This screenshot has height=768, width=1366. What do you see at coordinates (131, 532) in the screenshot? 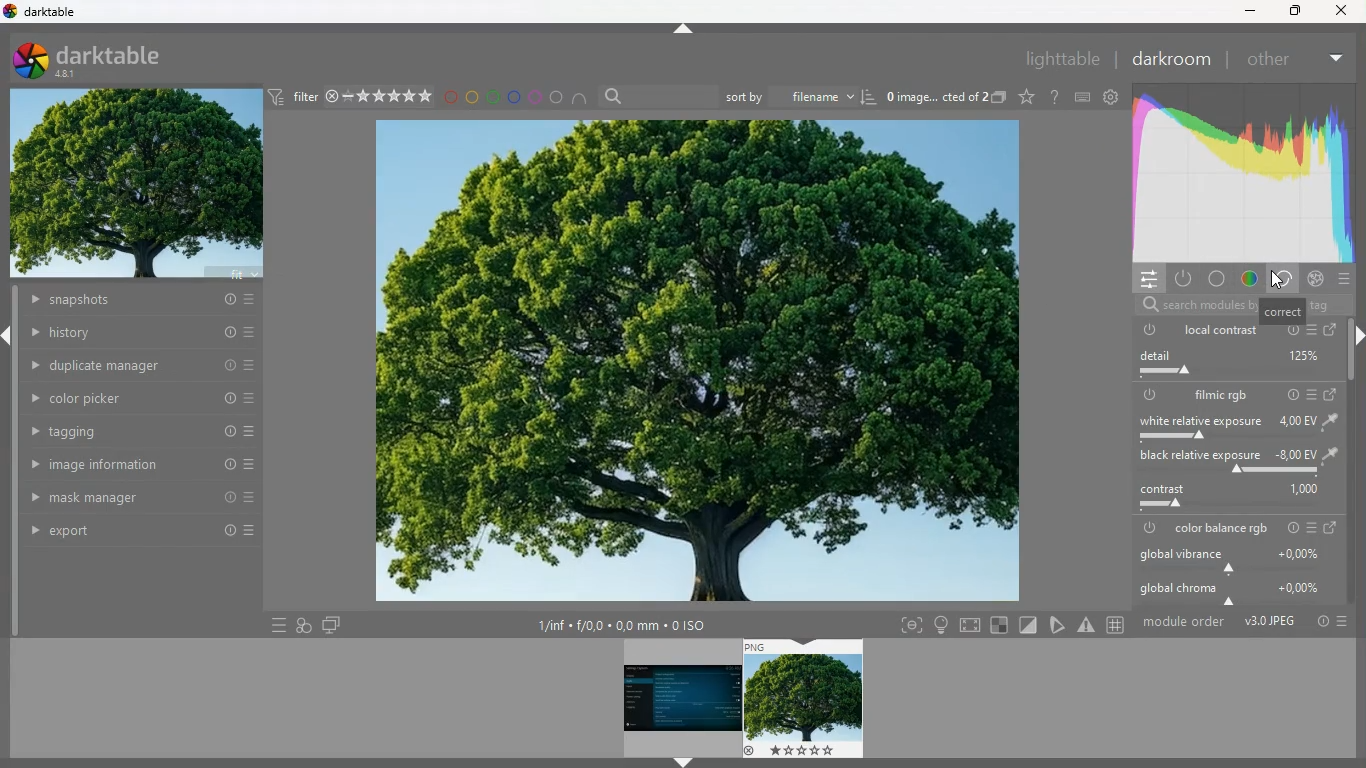
I see `export` at bounding box center [131, 532].